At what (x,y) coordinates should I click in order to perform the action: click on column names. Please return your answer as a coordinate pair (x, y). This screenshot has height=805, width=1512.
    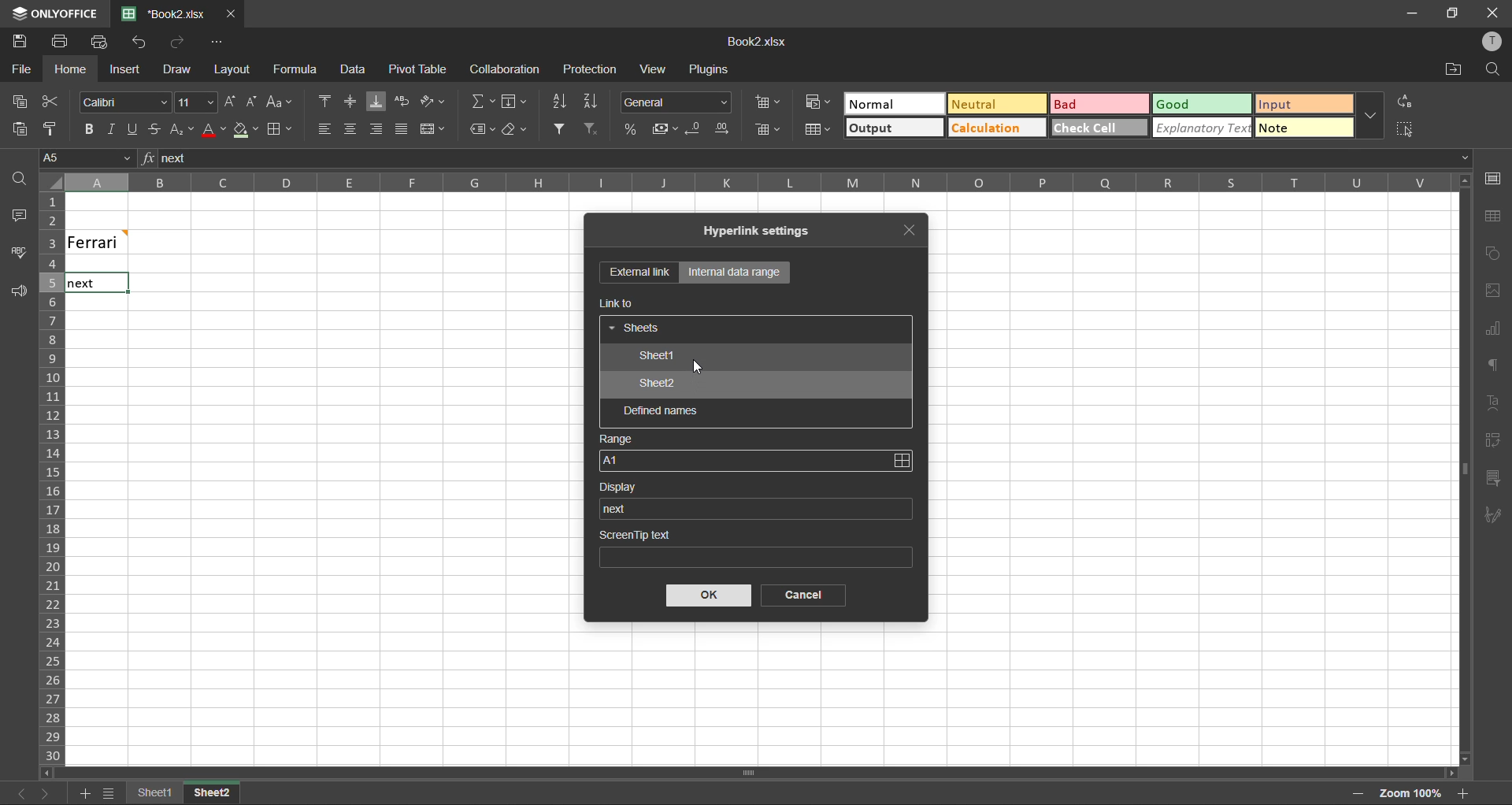
    Looking at the image, I should click on (748, 181).